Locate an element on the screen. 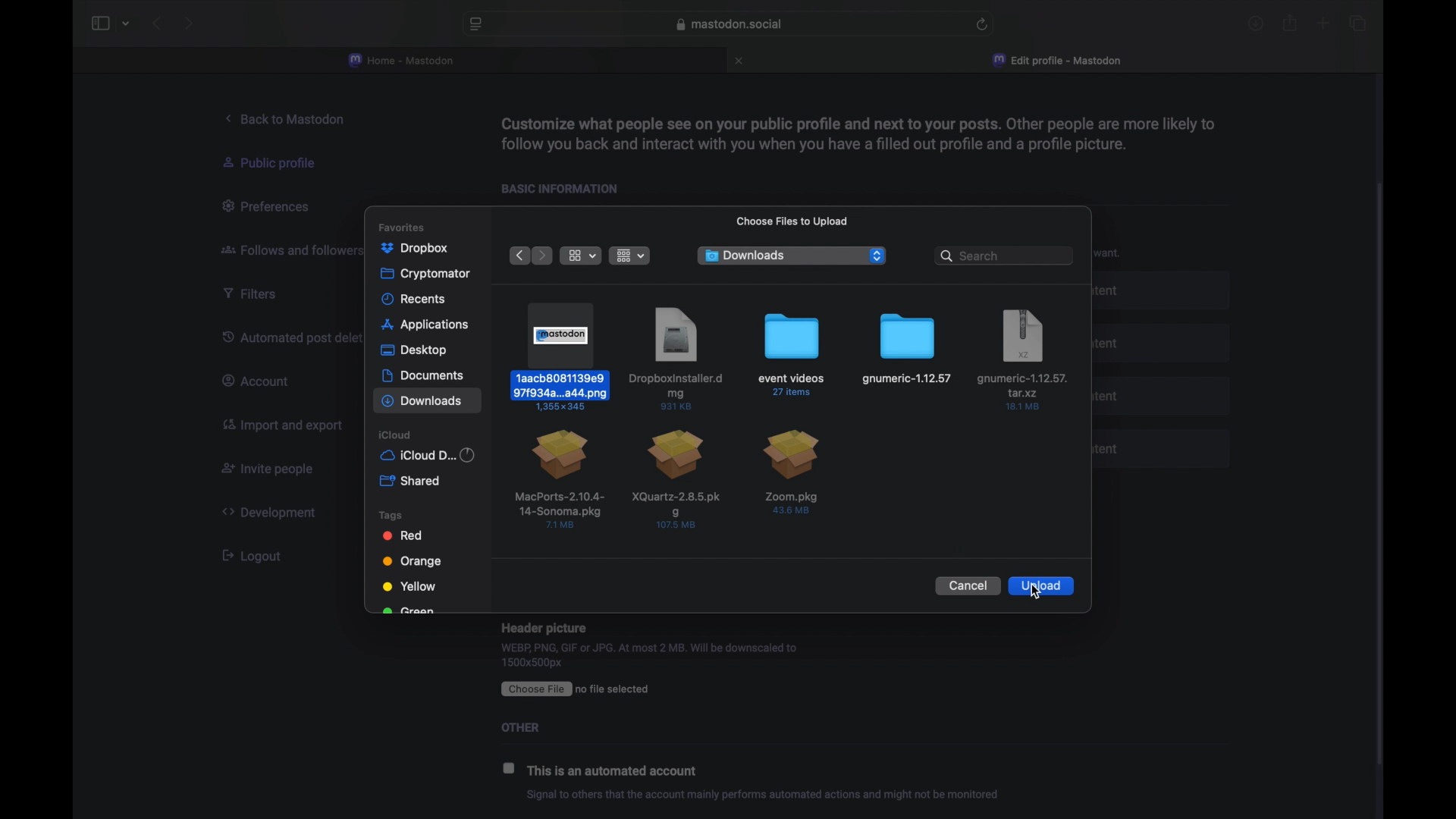  preferences is located at coordinates (269, 207).